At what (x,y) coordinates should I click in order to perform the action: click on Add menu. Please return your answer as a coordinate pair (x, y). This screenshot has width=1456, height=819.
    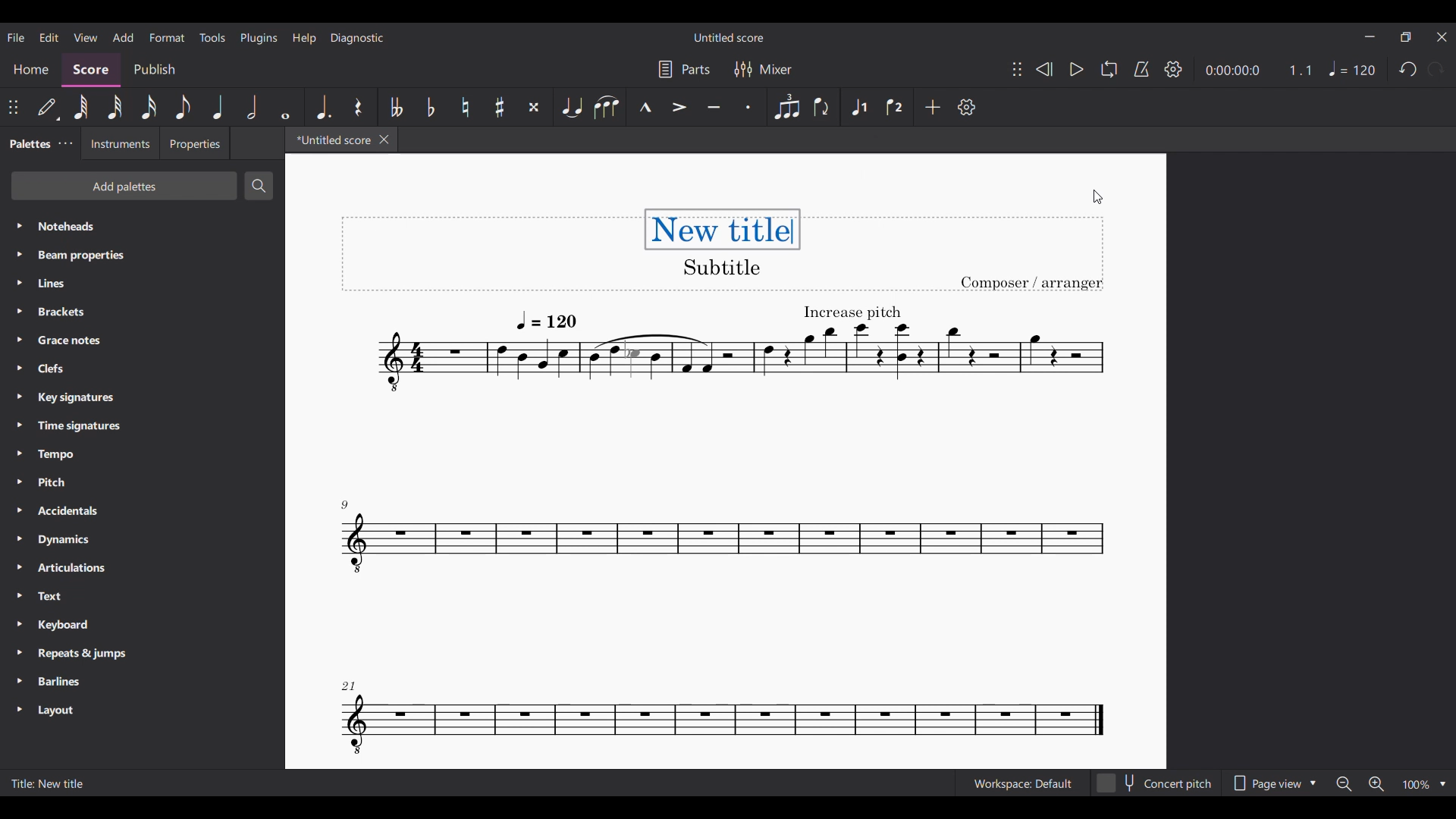
    Looking at the image, I should click on (123, 37).